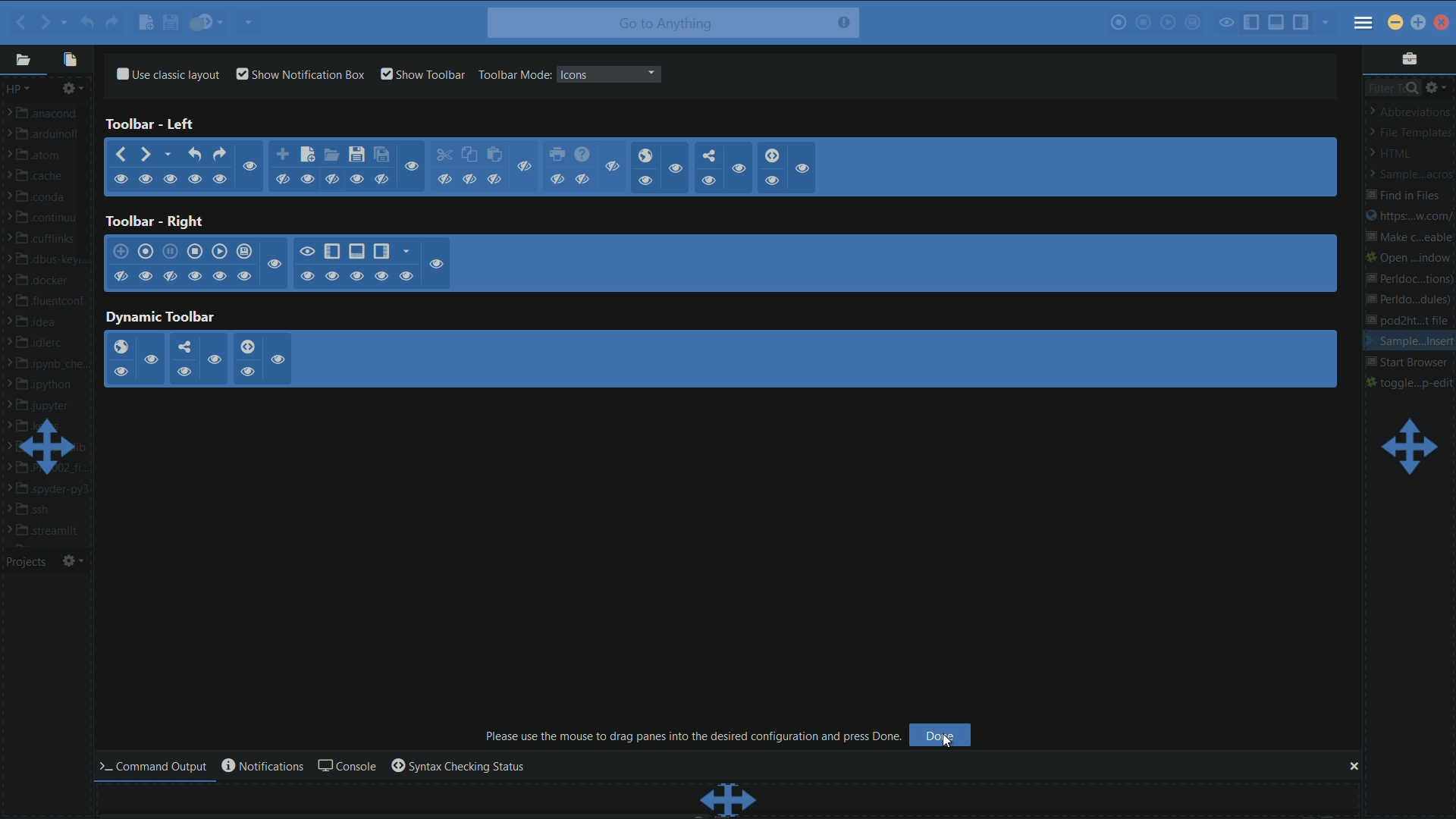 This screenshot has height=819, width=1456. What do you see at coordinates (381, 252) in the screenshot?
I see `show/hide right pane` at bounding box center [381, 252].